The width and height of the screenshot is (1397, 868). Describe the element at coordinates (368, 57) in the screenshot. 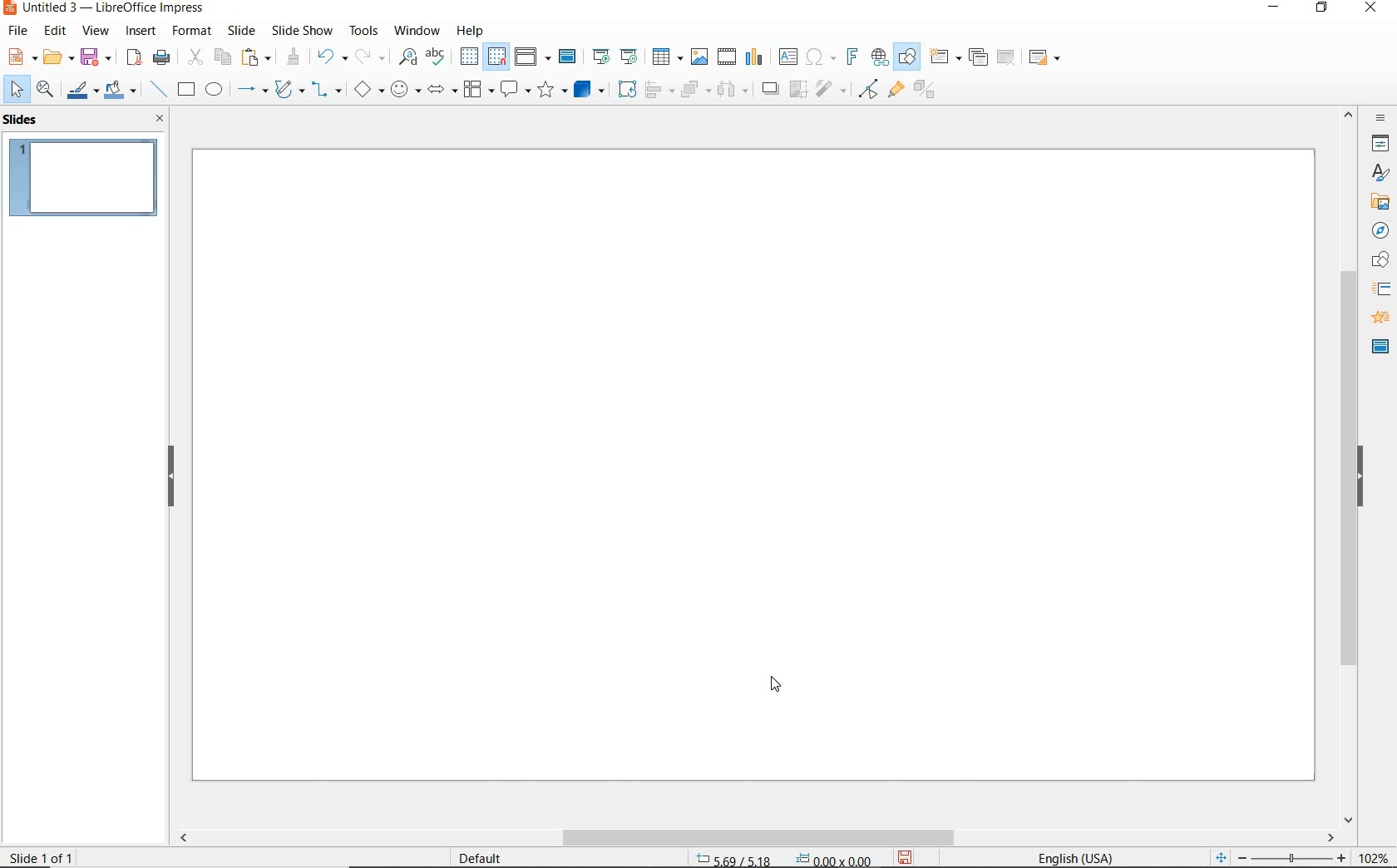

I see `REDO` at that location.